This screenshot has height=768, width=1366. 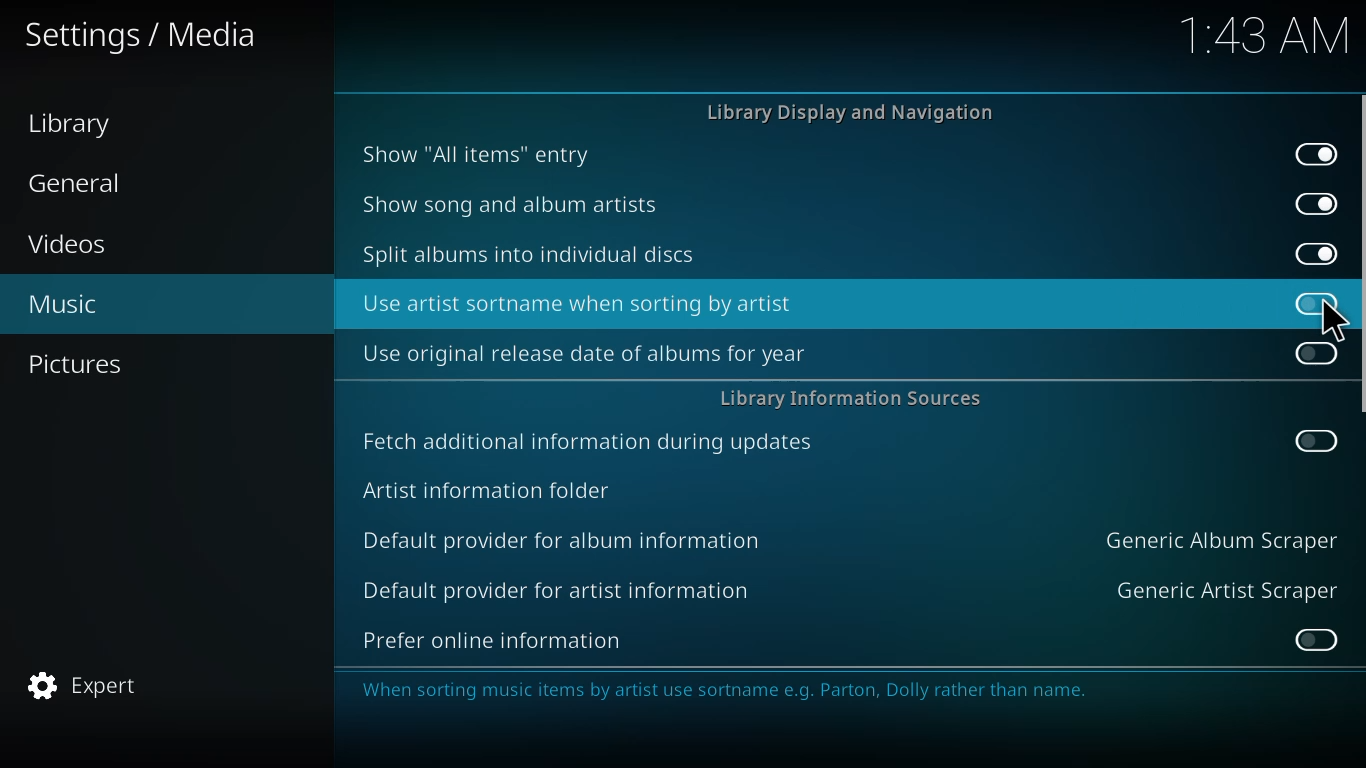 What do you see at coordinates (555, 589) in the screenshot?
I see `default provider for artist` at bounding box center [555, 589].